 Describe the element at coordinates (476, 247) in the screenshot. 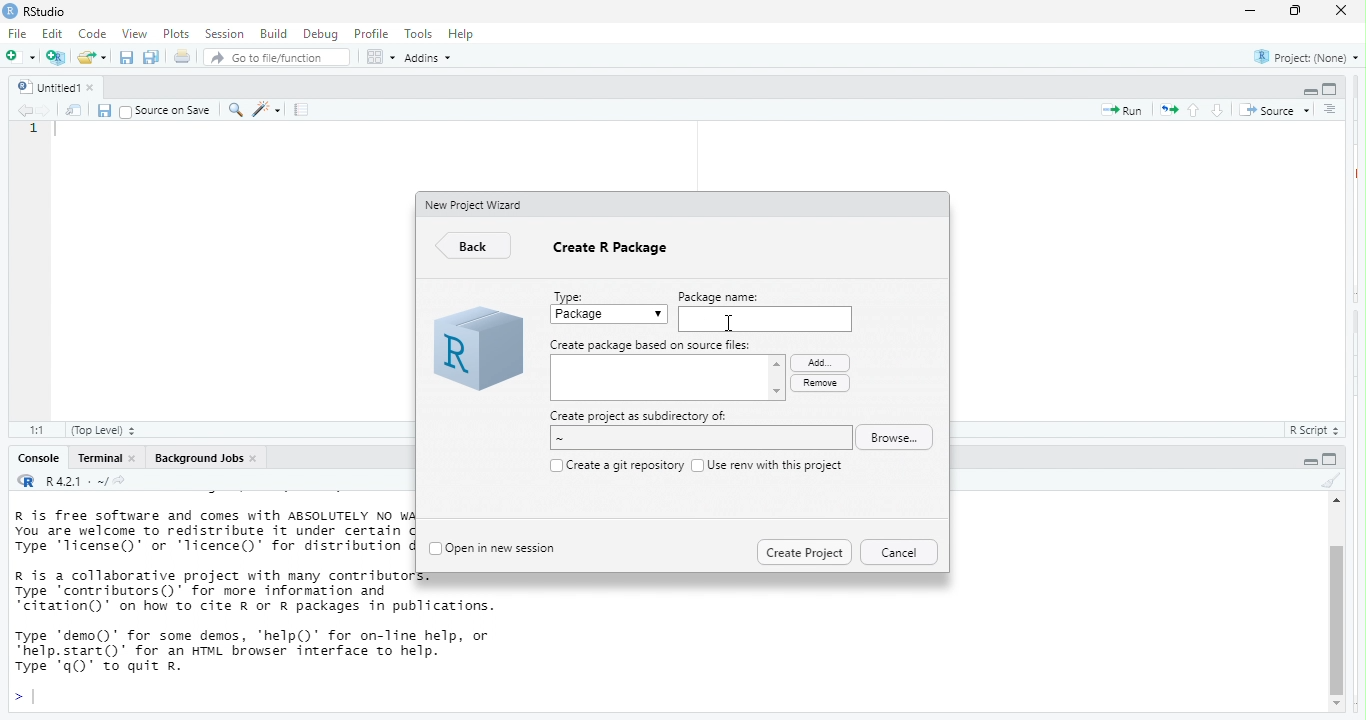

I see `Back` at that location.